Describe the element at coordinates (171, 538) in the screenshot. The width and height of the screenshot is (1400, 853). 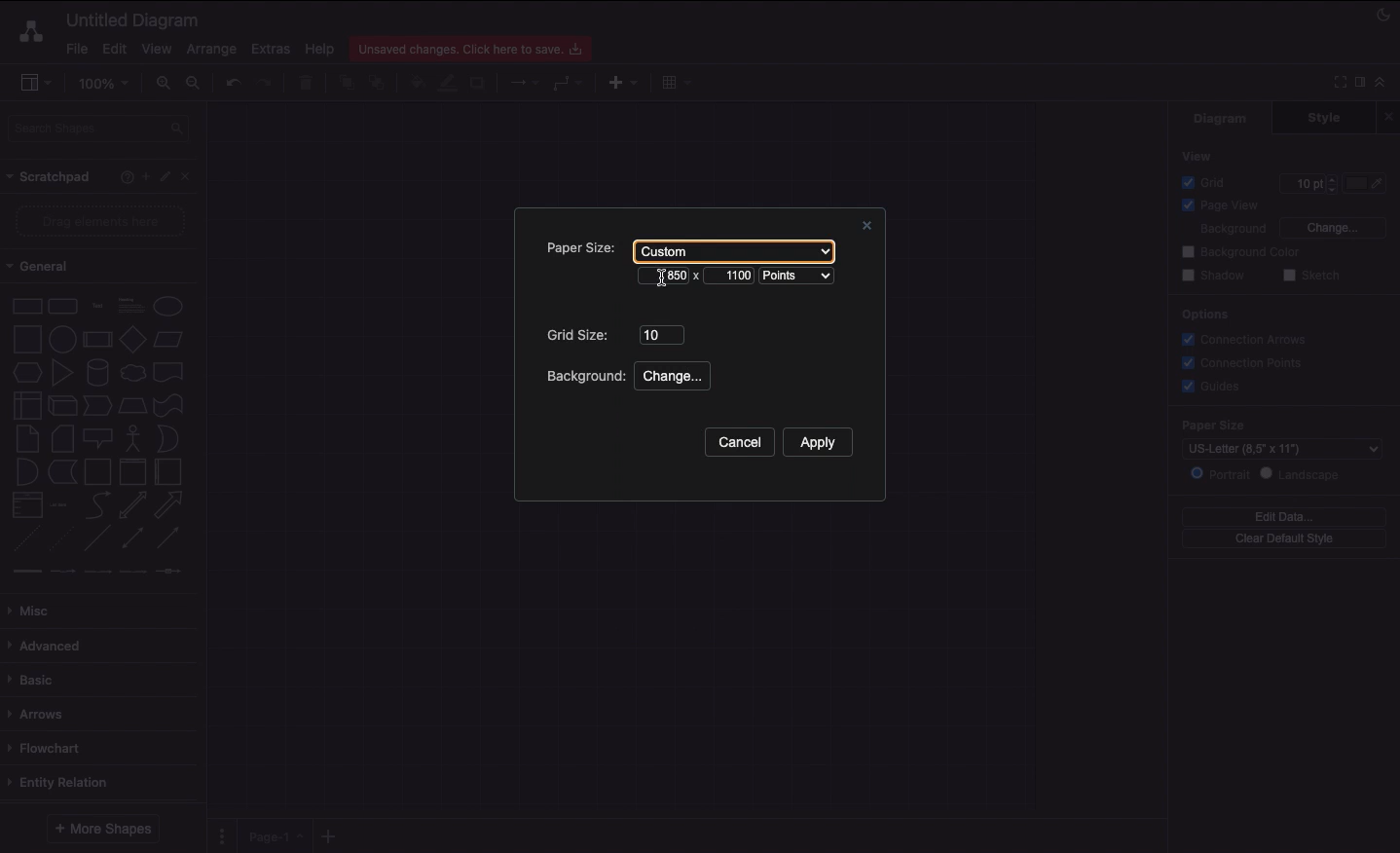
I see `Directional connector` at that location.